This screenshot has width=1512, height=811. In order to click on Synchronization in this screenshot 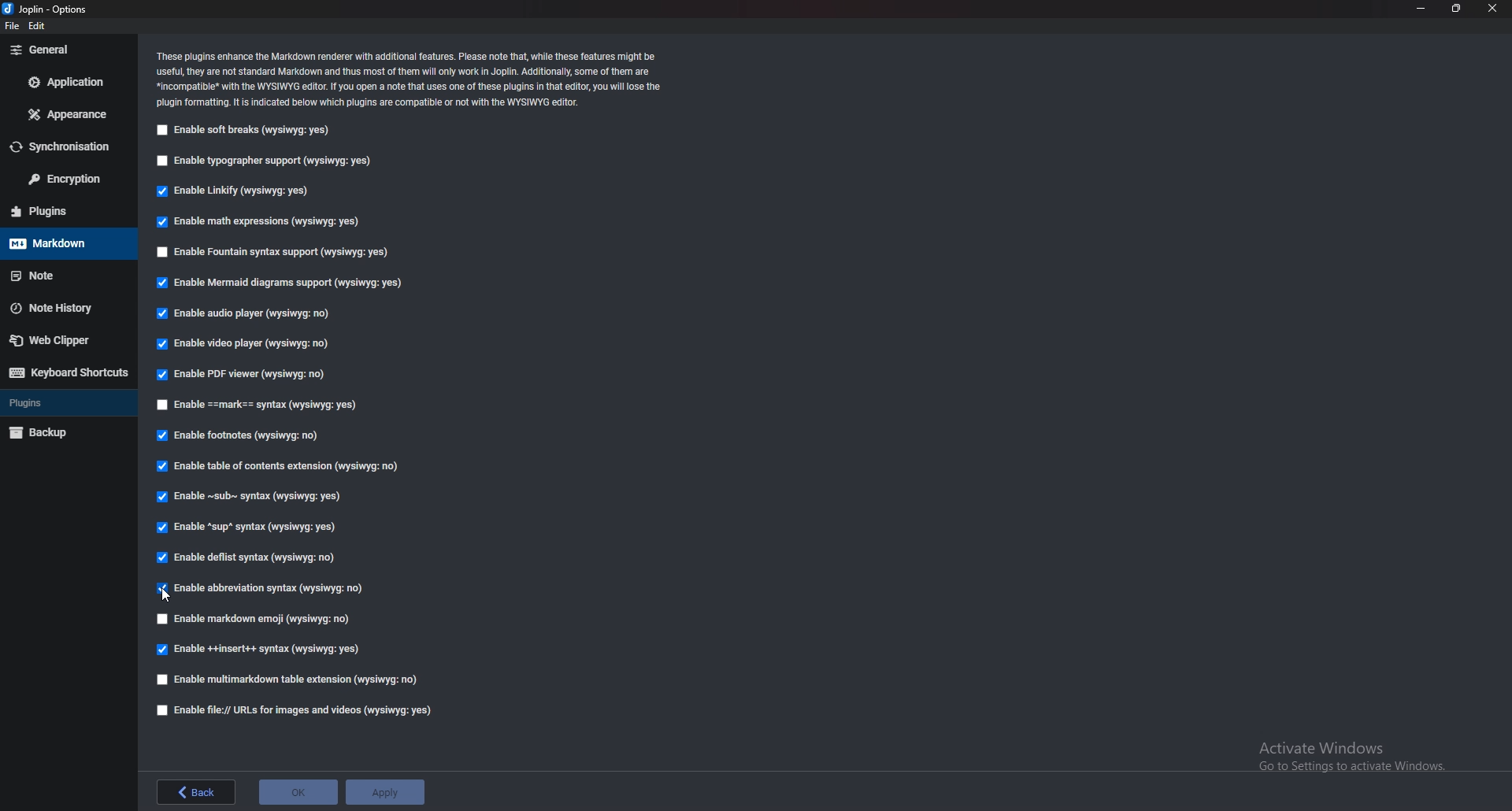, I will do `click(67, 146)`.